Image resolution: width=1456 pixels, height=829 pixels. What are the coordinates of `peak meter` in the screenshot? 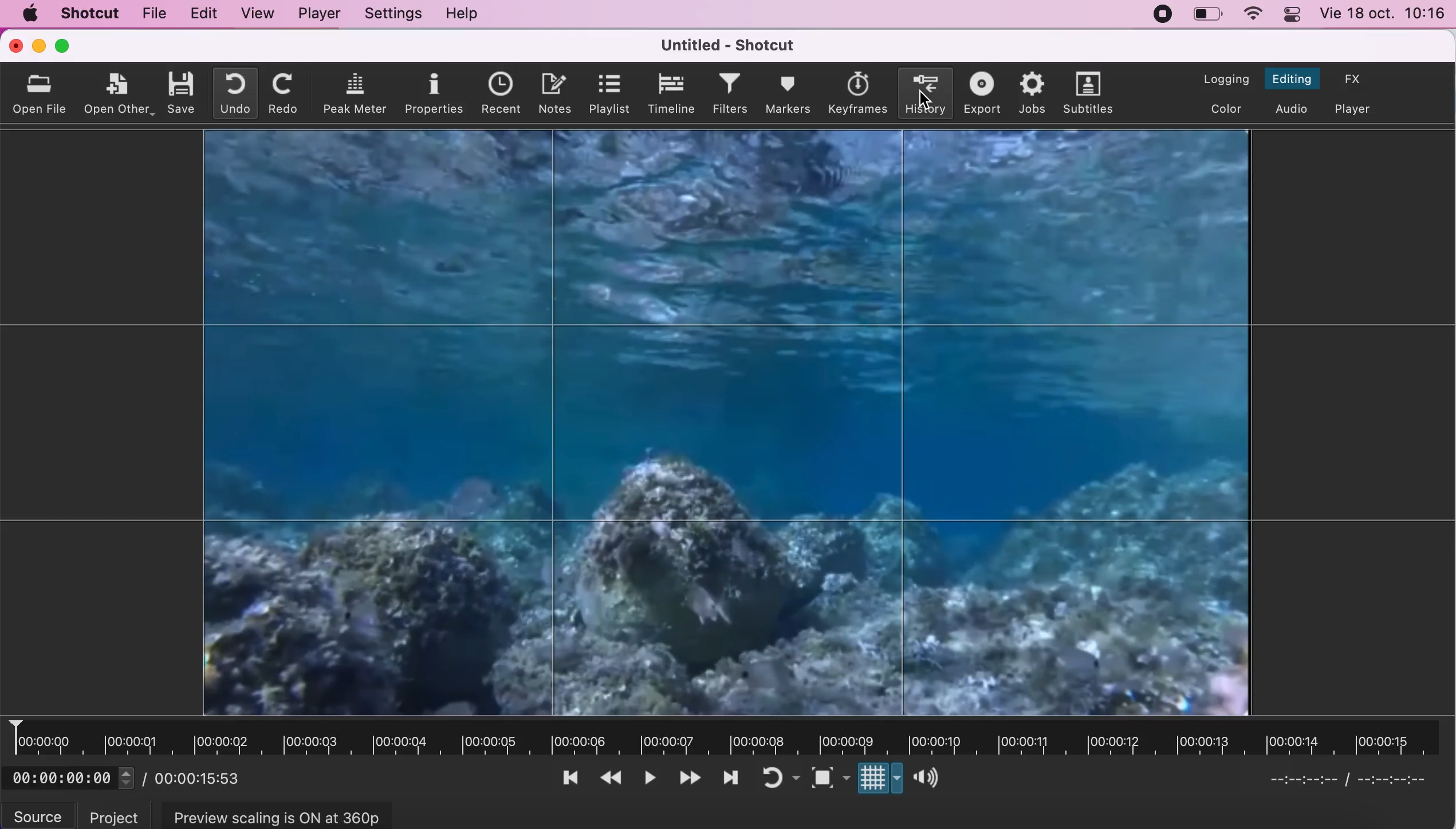 It's located at (356, 93).